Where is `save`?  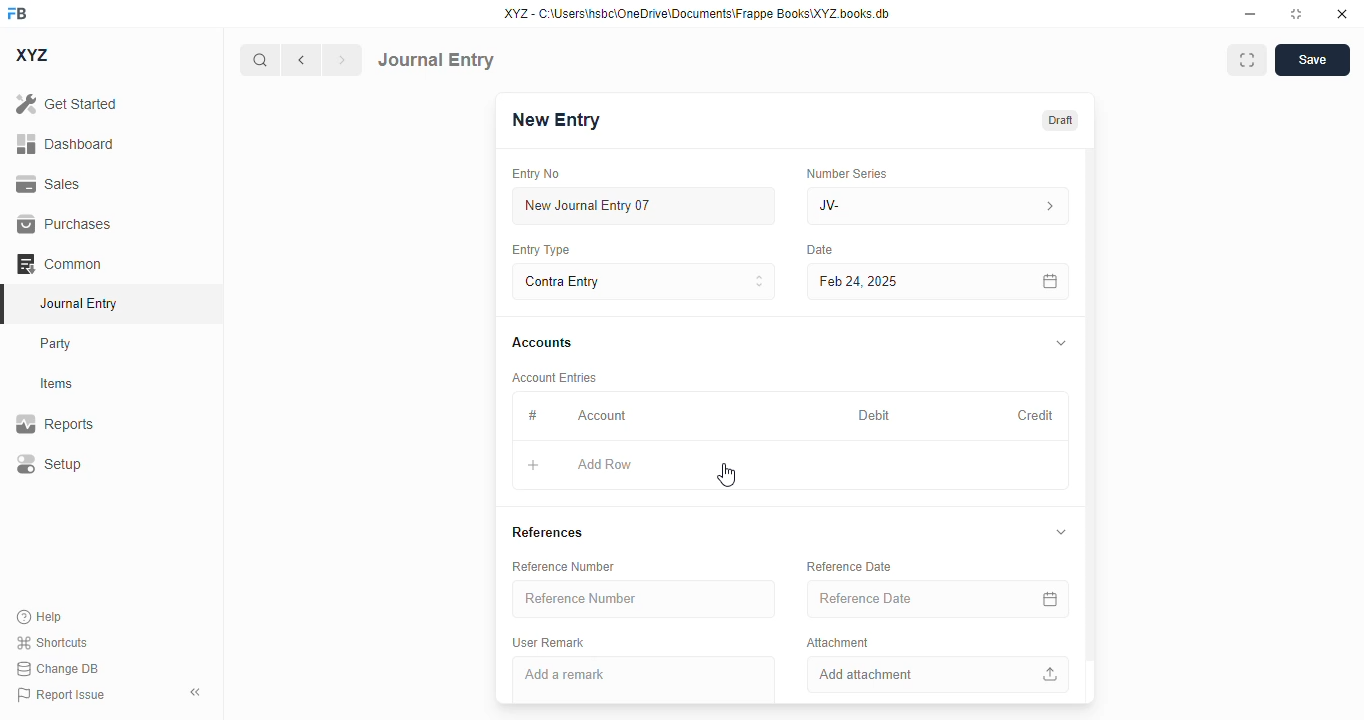
save is located at coordinates (1312, 60).